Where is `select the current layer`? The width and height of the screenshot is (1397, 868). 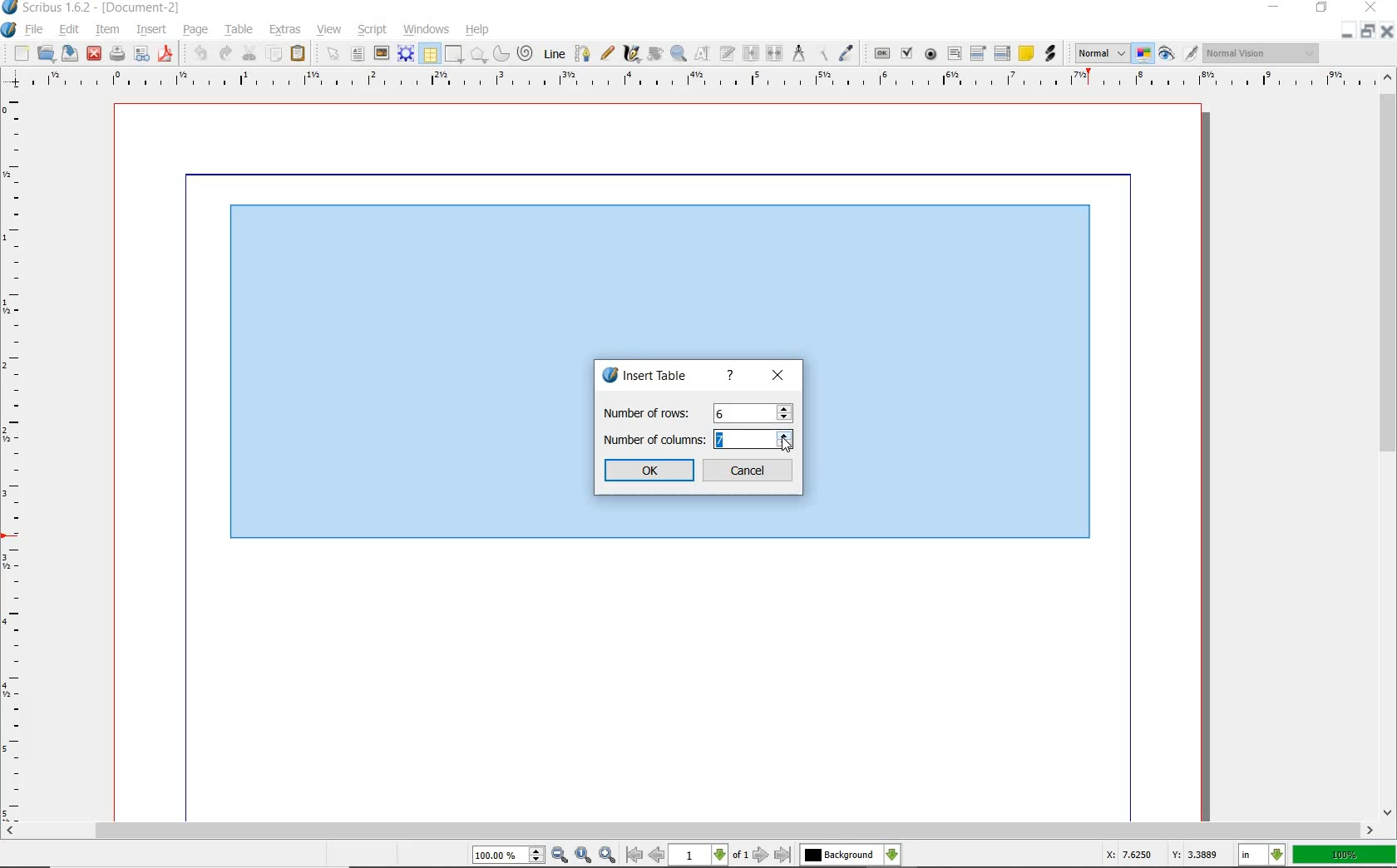 select the current layer is located at coordinates (850, 856).